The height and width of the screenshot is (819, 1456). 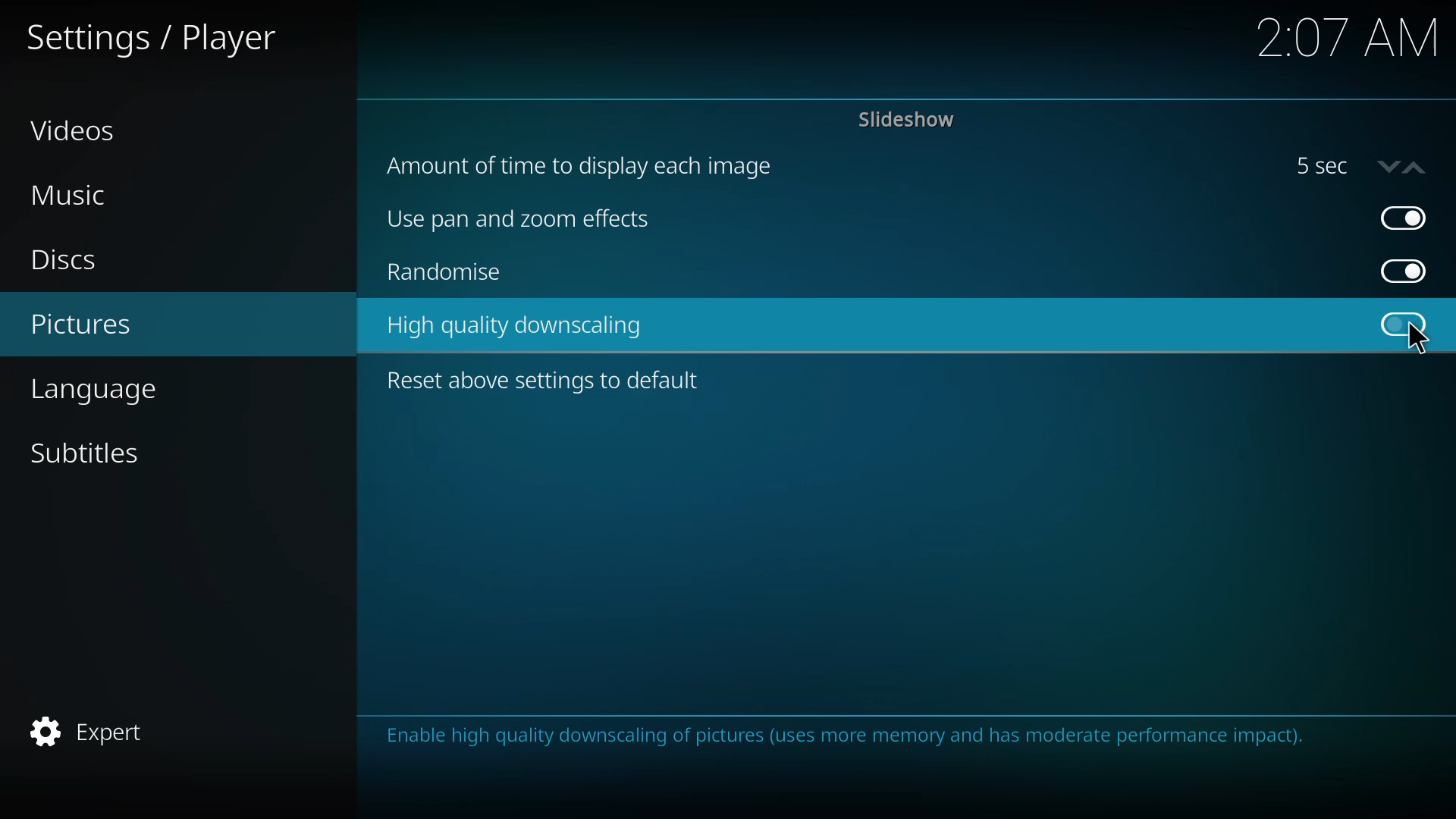 What do you see at coordinates (1359, 166) in the screenshot?
I see `5 sec` at bounding box center [1359, 166].